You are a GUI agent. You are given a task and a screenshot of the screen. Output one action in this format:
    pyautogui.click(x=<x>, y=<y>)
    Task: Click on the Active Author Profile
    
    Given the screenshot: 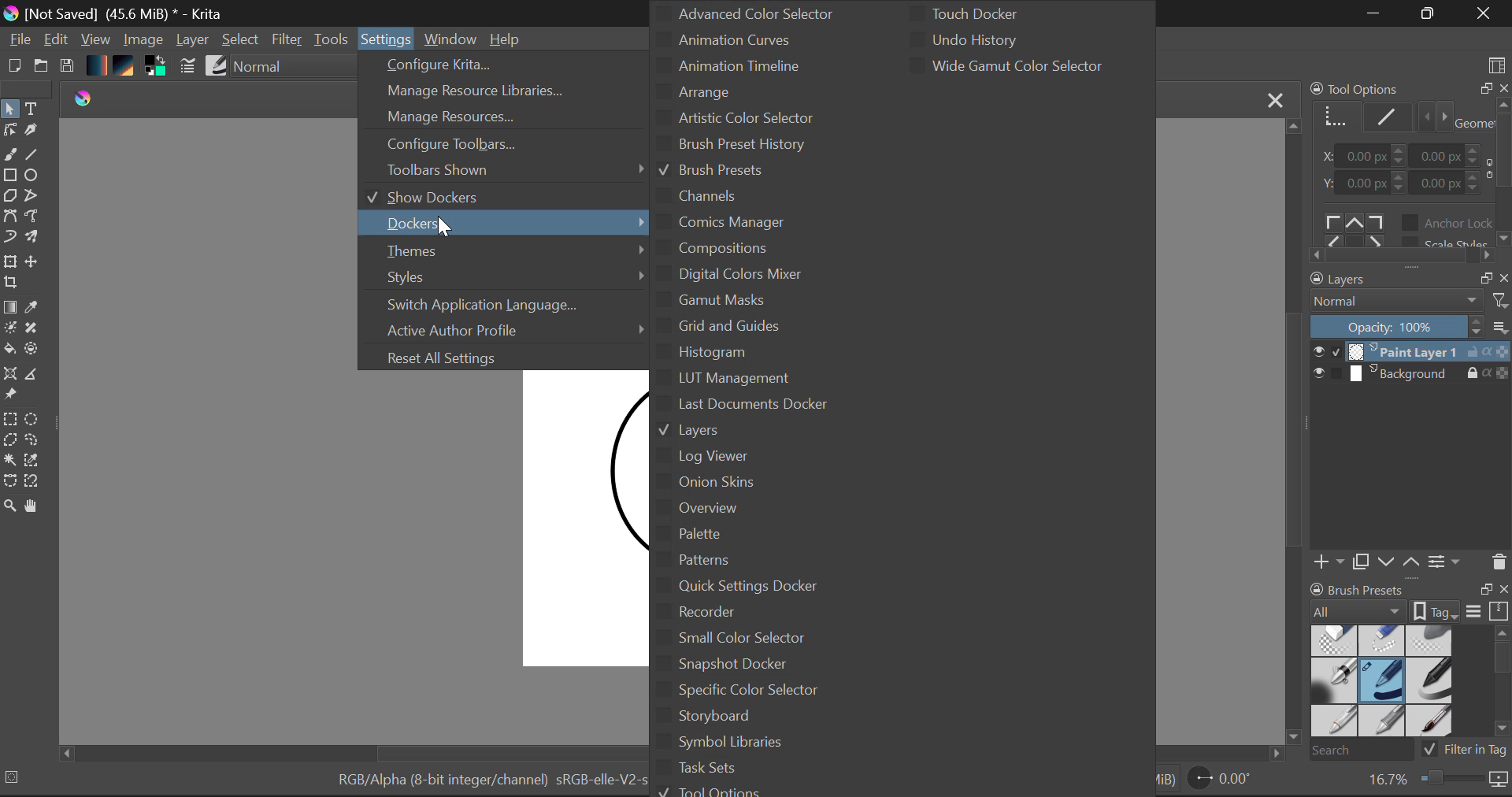 What is the action you would take?
    pyautogui.click(x=503, y=329)
    